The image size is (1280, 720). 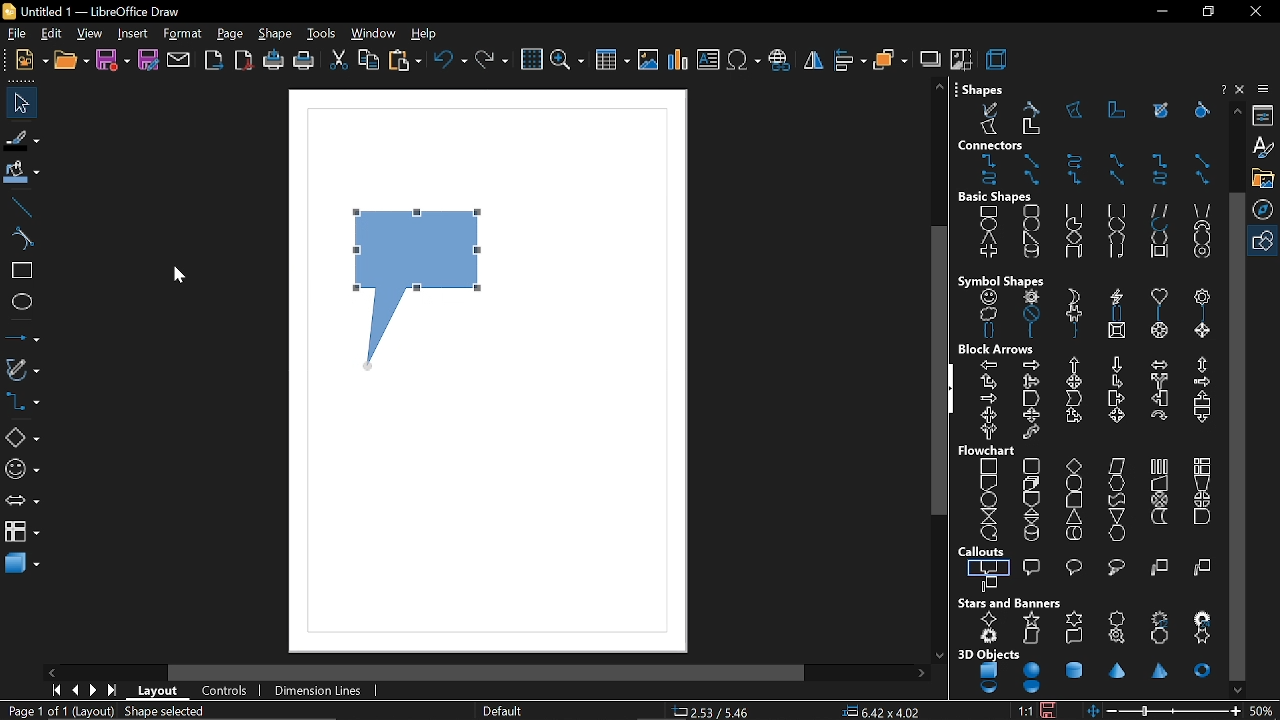 What do you see at coordinates (744, 61) in the screenshot?
I see `insert symbol` at bounding box center [744, 61].